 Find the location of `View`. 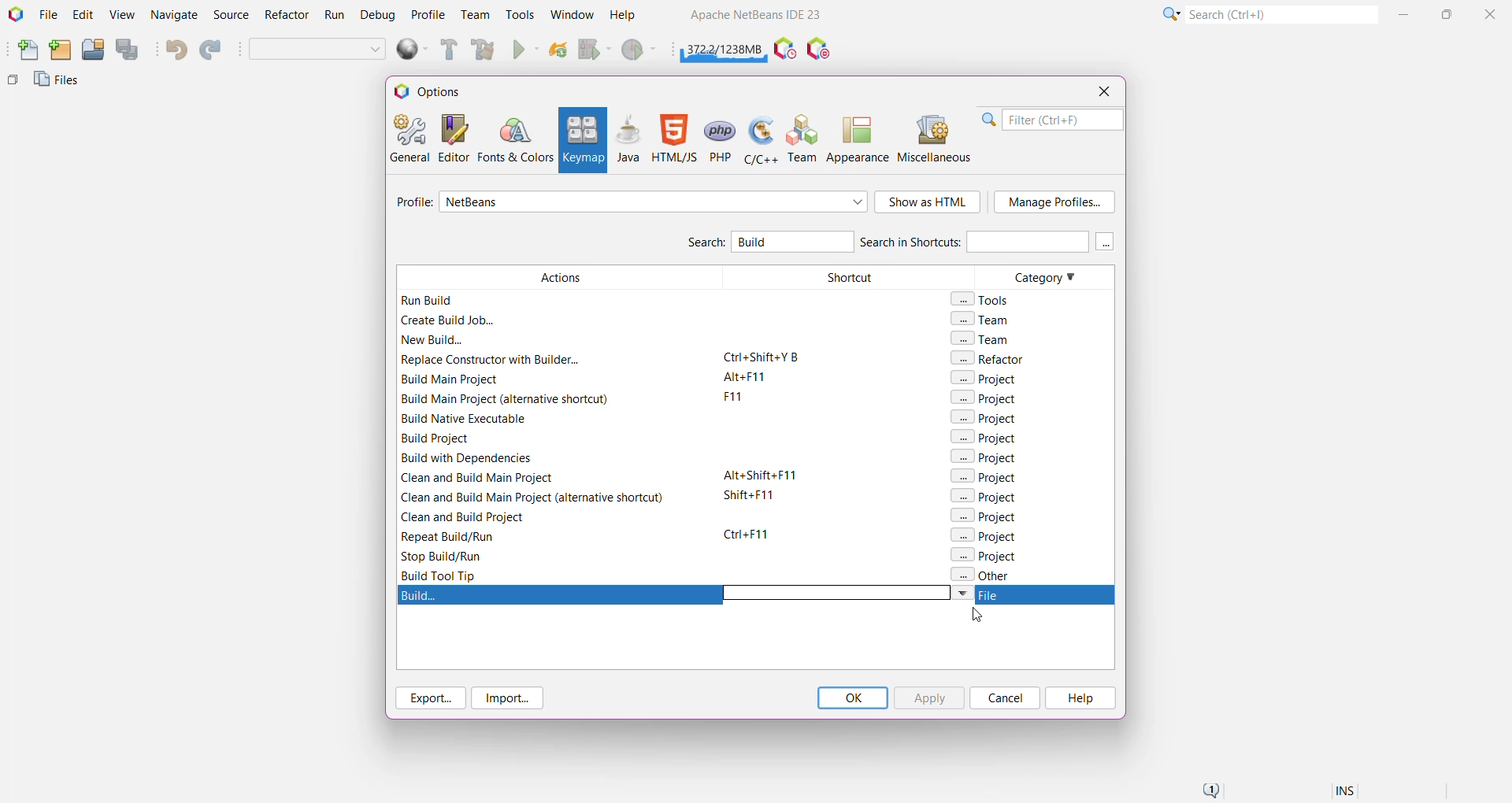

View is located at coordinates (121, 16).